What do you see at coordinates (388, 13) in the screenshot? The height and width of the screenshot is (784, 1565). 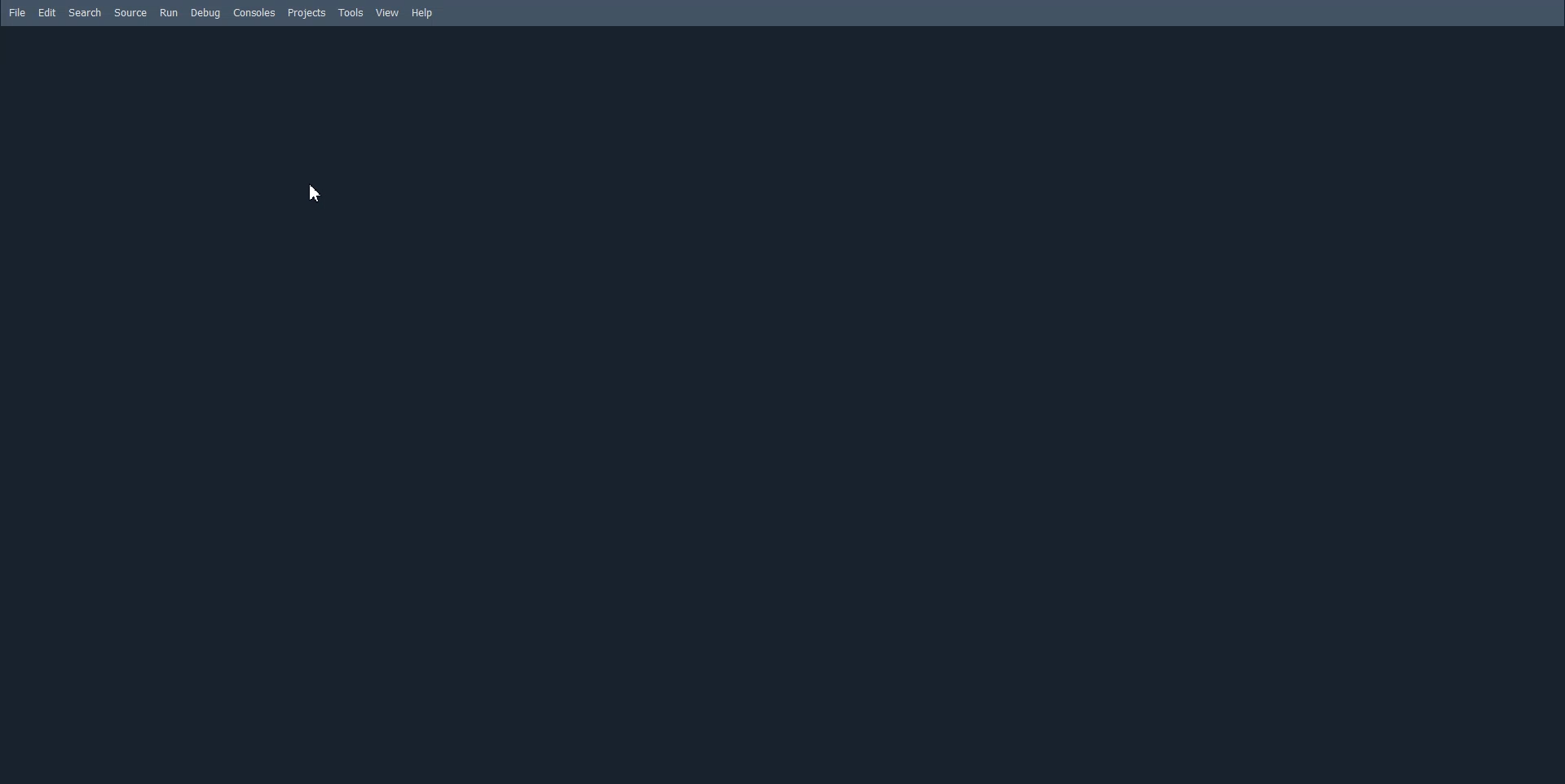 I see `View` at bounding box center [388, 13].